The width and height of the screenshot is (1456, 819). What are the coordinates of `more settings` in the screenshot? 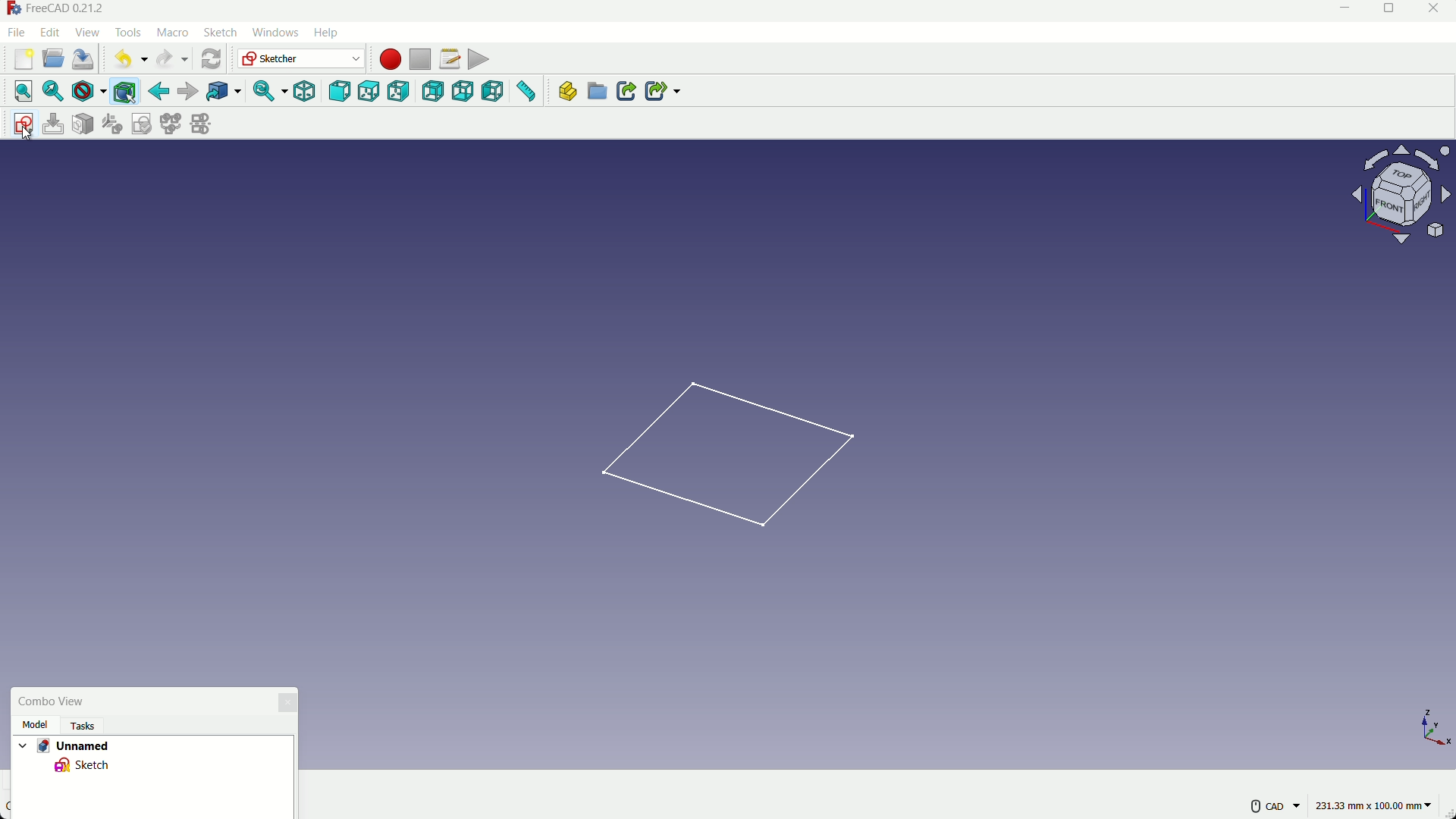 It's located at (1276, 806).